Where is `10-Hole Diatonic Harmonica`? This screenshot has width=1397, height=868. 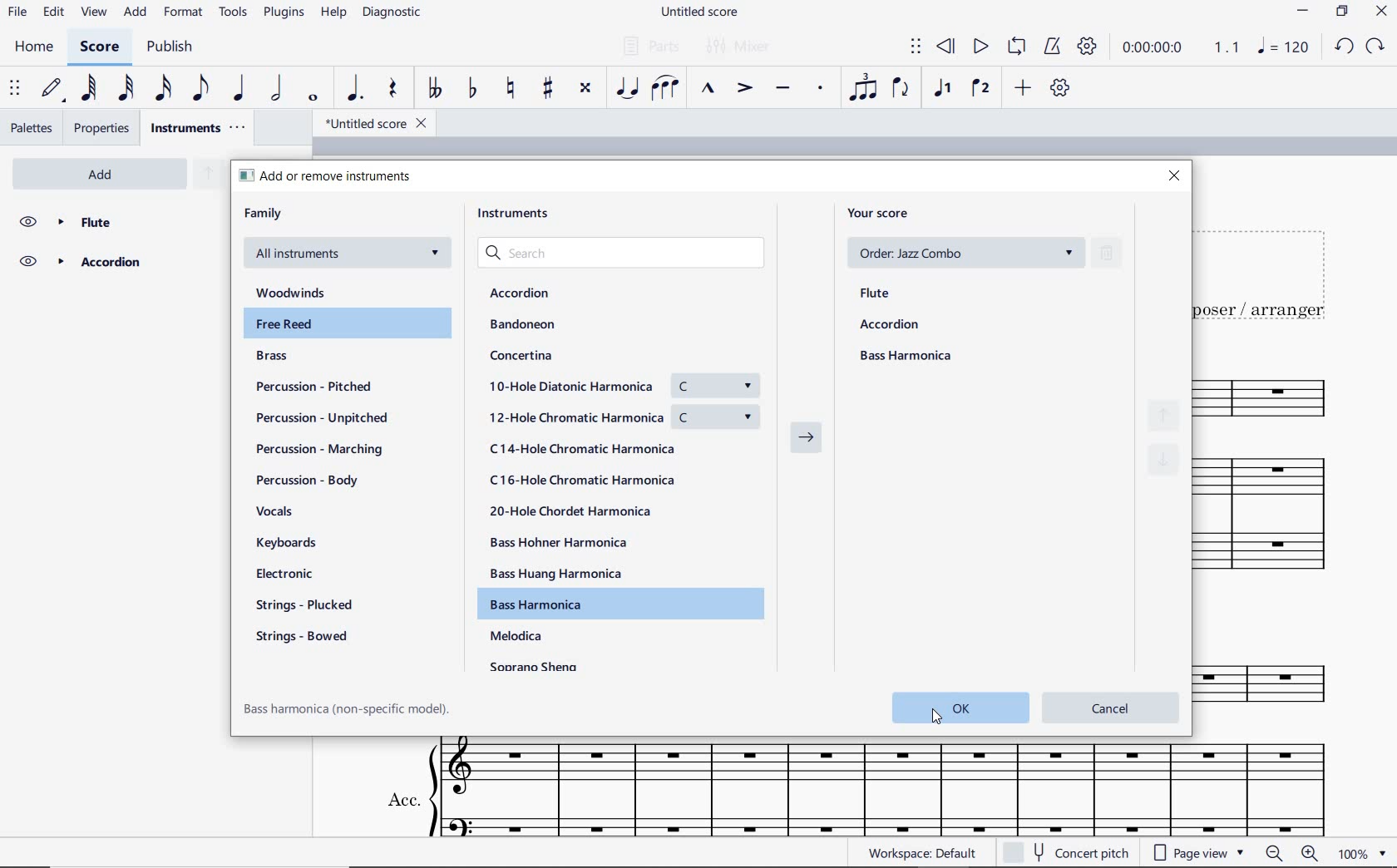
10-Hole Diatonic Harmonica is located at coordinates (622, 384).